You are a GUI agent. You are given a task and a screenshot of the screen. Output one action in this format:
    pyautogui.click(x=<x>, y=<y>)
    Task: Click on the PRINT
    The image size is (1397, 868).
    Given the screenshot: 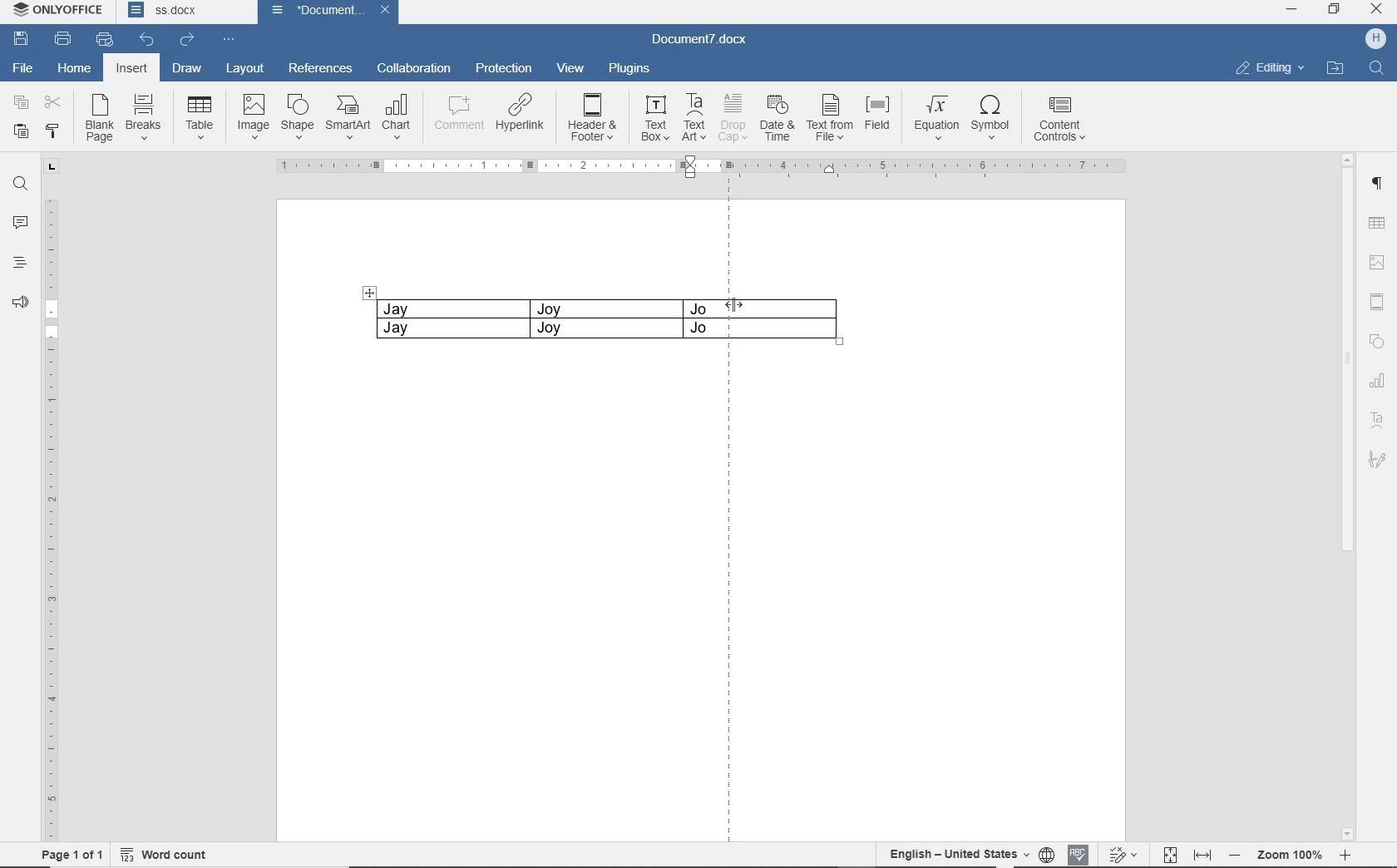 What is the action you would take?
    pyautogui.click(x=62, y=40)
    